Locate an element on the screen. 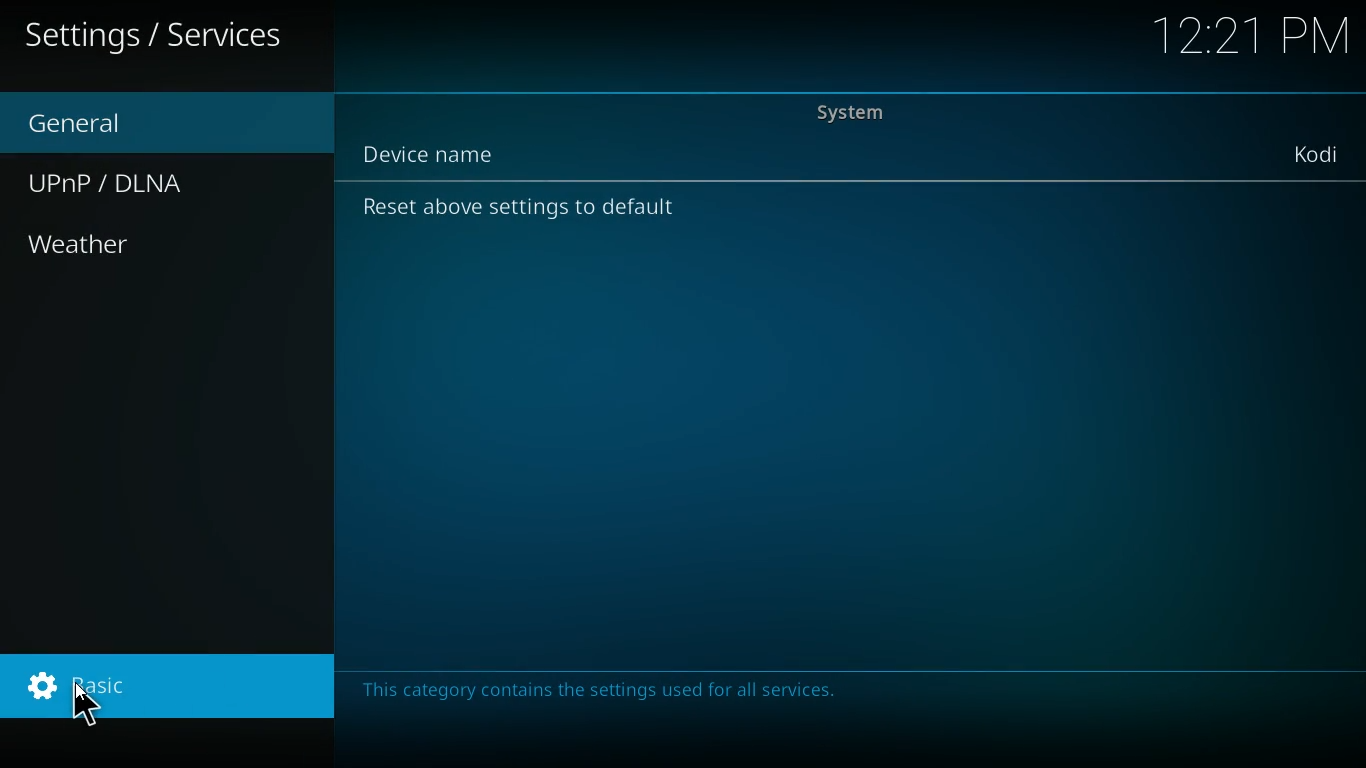 This screenshot has height=768, width=1366. settings is located at coordinates (172, 686).